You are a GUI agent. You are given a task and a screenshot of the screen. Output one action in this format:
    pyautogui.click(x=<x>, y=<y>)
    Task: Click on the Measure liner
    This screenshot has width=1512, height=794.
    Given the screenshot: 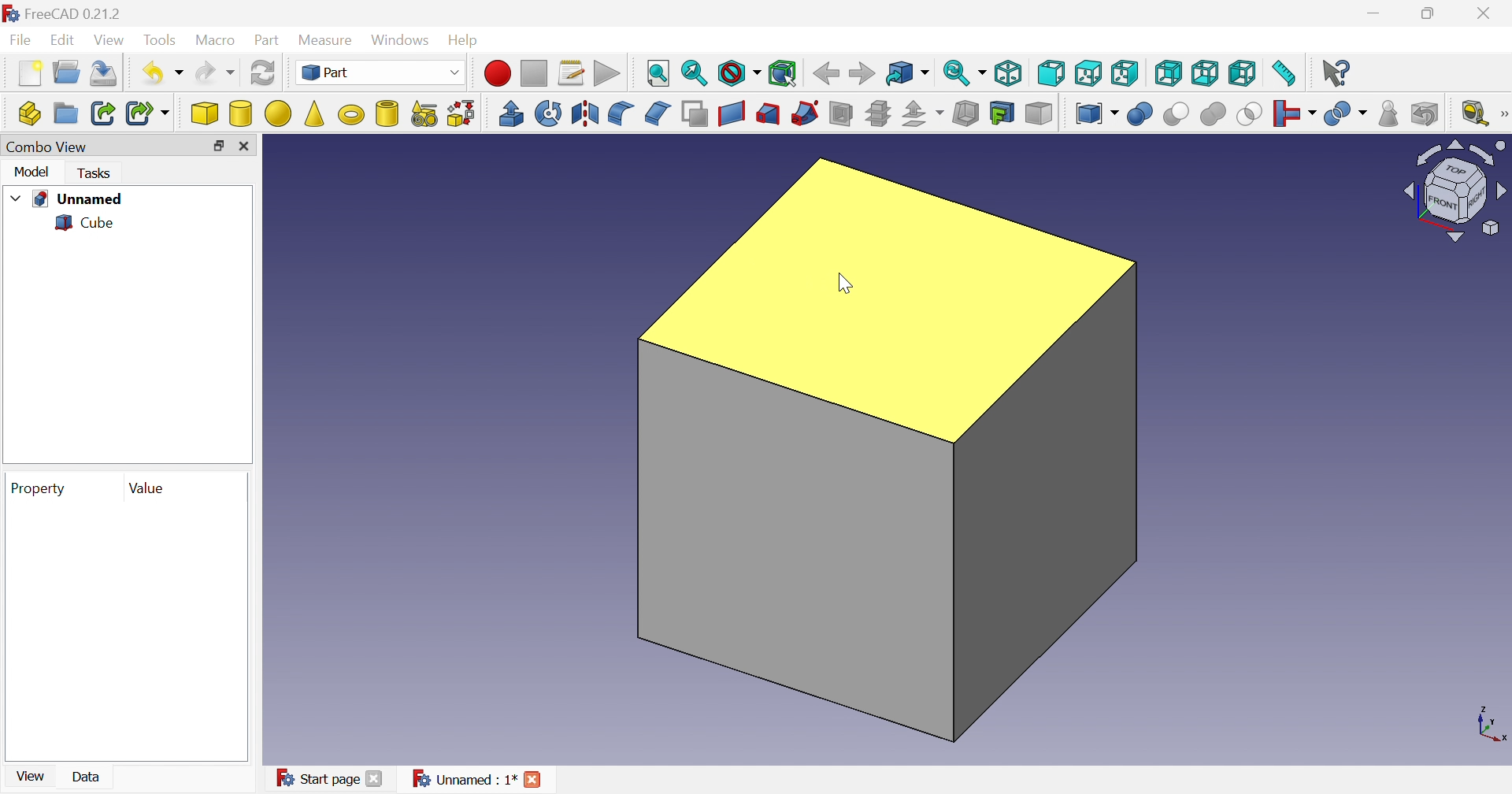 What is the action you would take?
    pyautogui.click(x=1475, y=114)
    